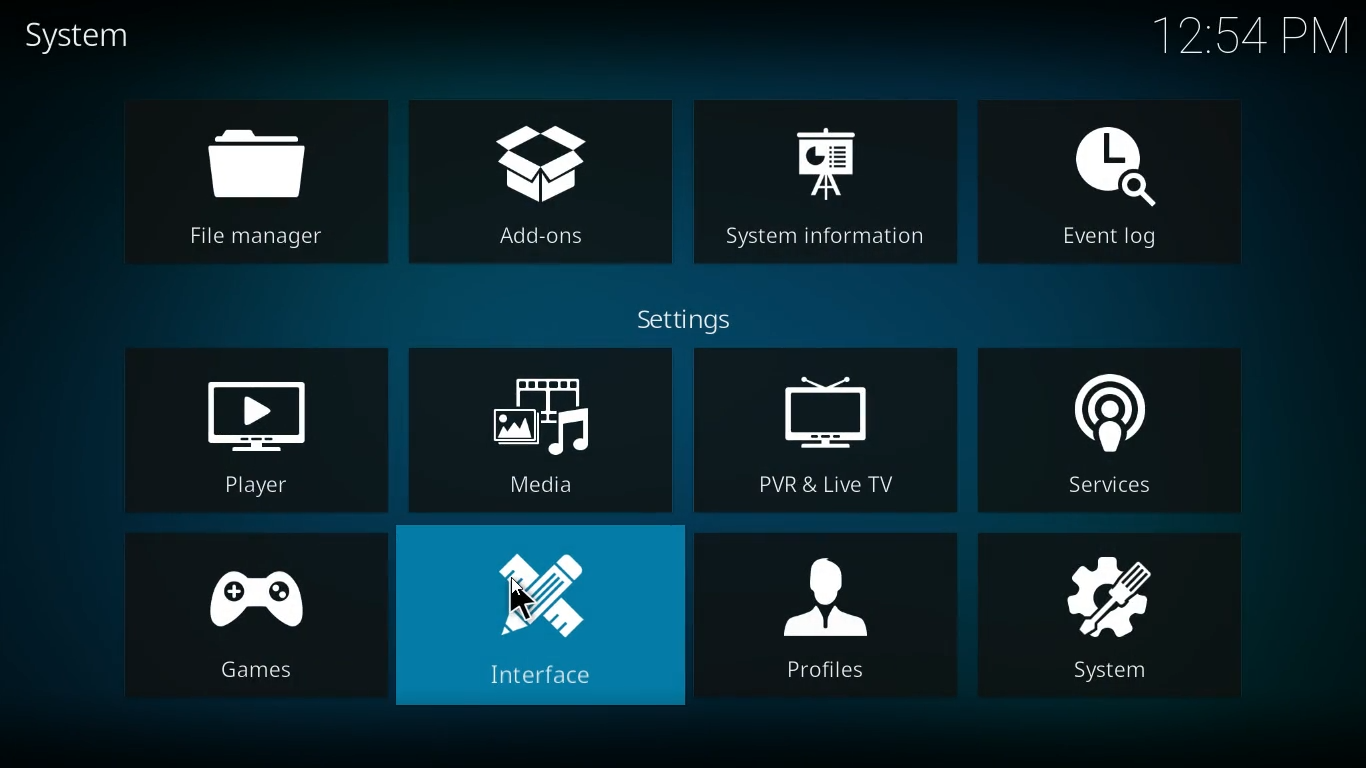  What do you see at coordinates (540, 614) in the screenshot?
I see `interface` at bounding box center [540, 614].